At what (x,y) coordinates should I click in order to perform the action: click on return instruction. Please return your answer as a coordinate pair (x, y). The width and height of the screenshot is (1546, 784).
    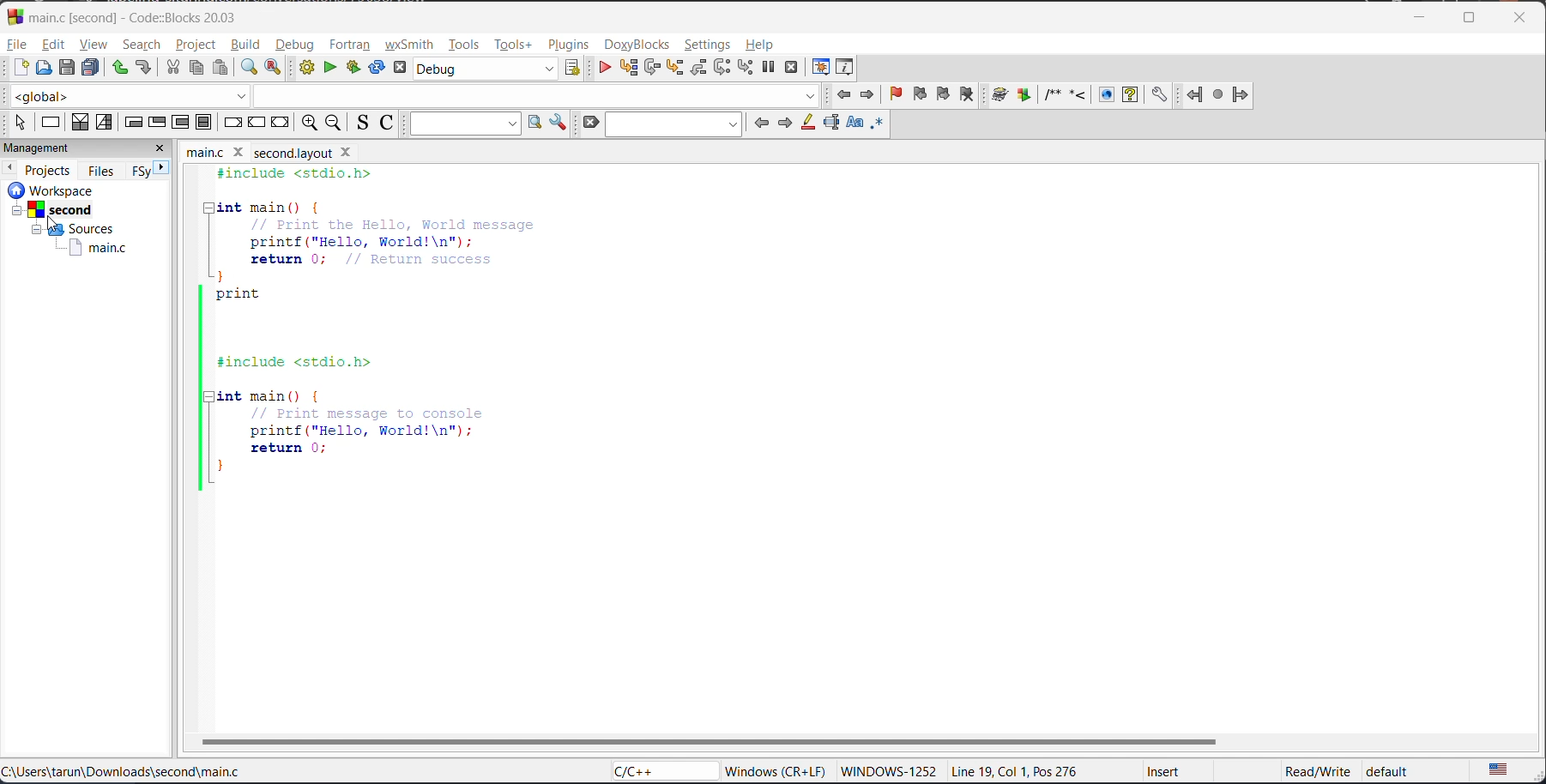
    Looking at the image, I should click on (281, 120).